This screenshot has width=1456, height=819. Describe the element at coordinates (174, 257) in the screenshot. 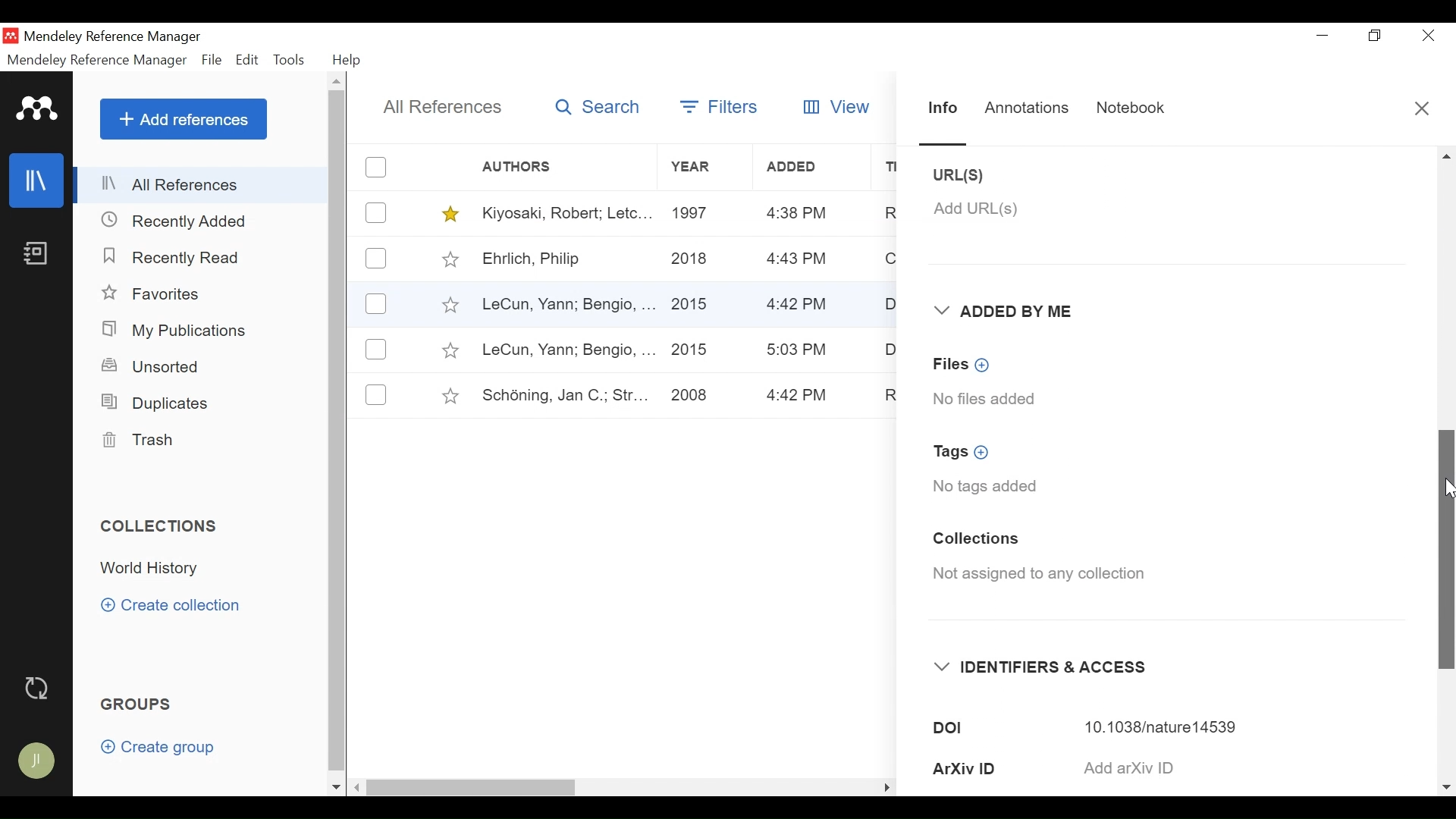

I see `Recently Read` at that location.